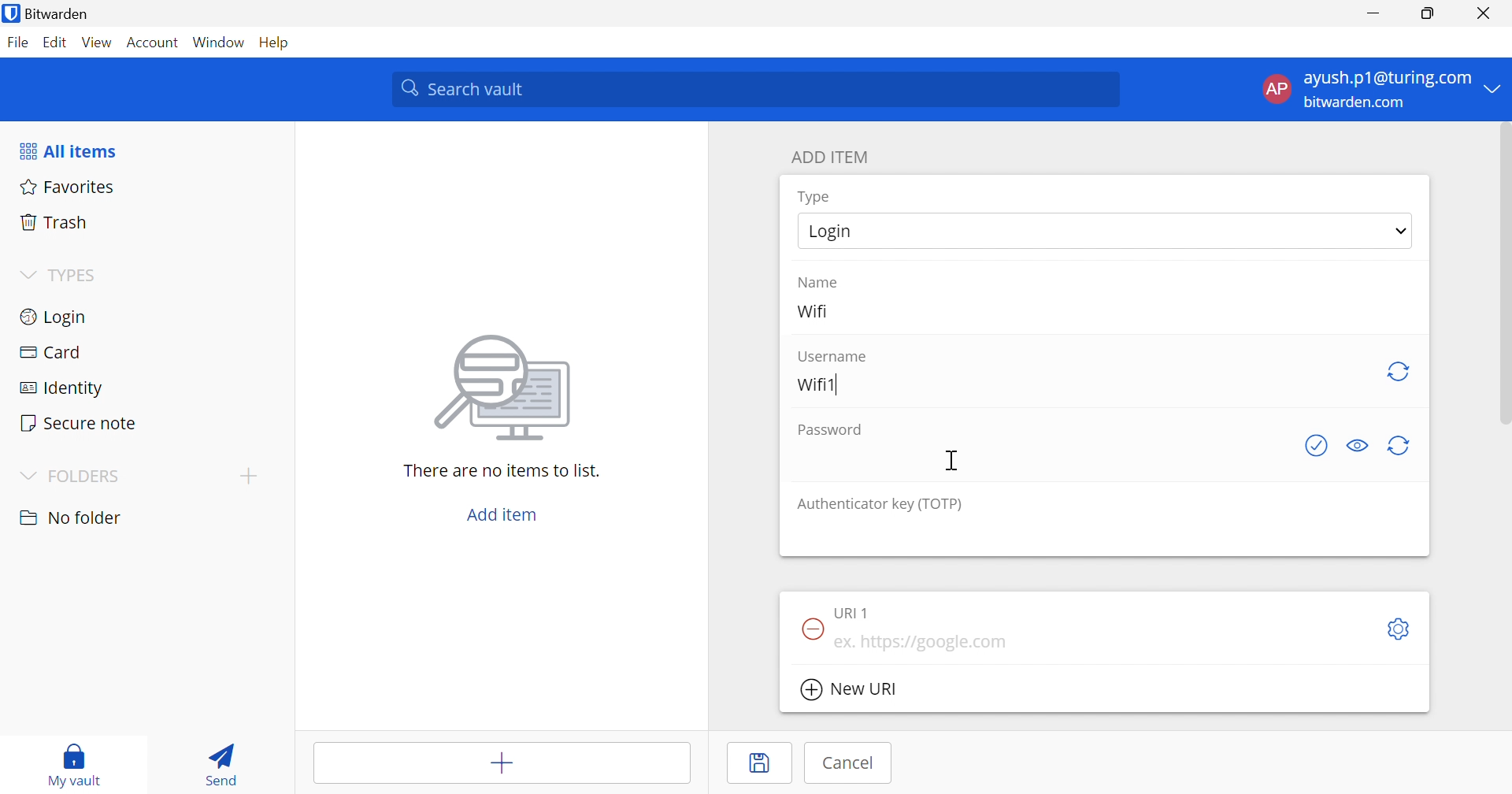 The height and width of the screenshot is (794, 1512). What do you see at coordinates (811, 629) in the screenshot?
I see `Remove` at bounding box center [811, 629].